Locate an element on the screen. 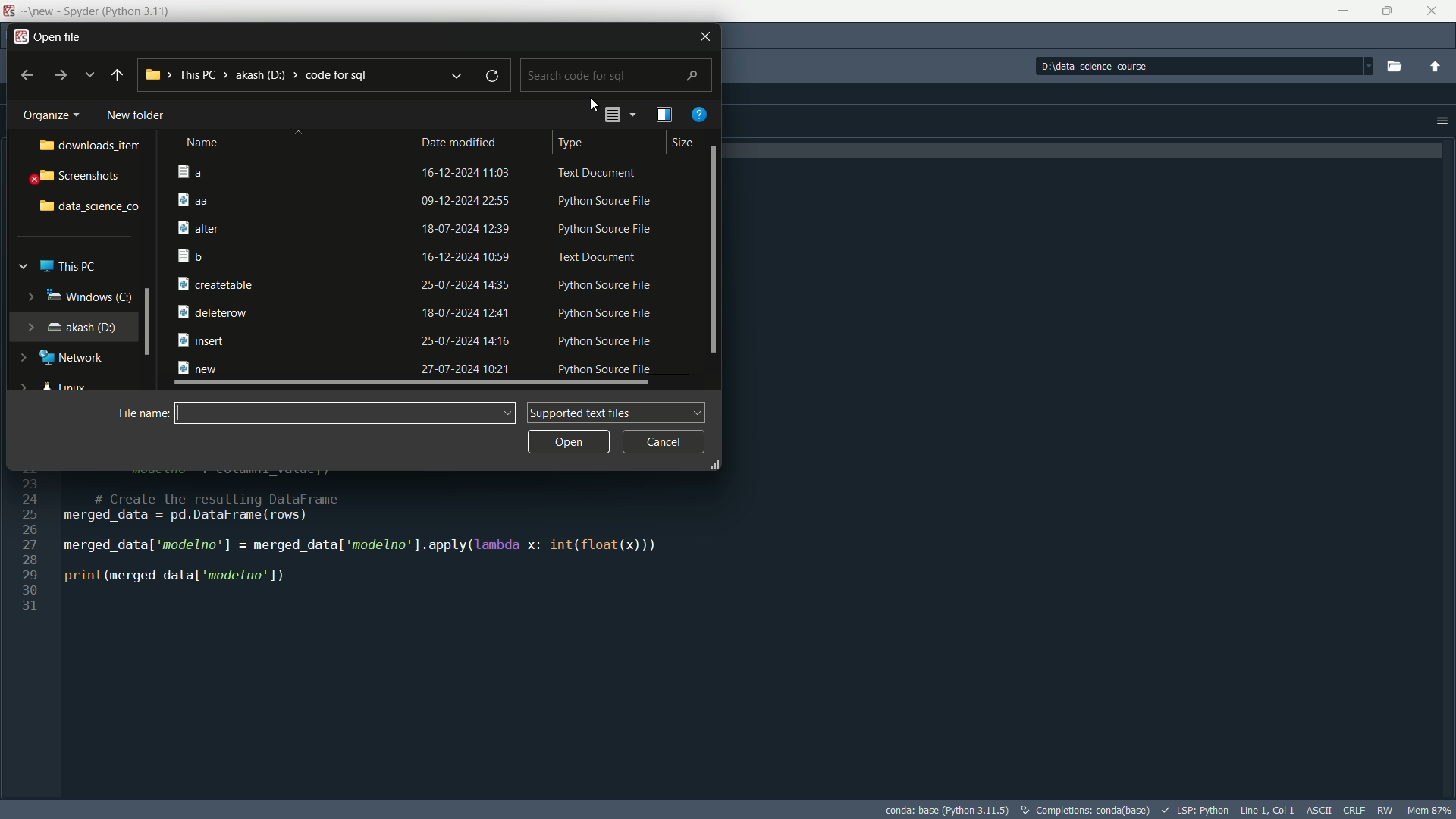 This screenshot has width=1456, height=819. data science folder is located at coordinates (90, 207).